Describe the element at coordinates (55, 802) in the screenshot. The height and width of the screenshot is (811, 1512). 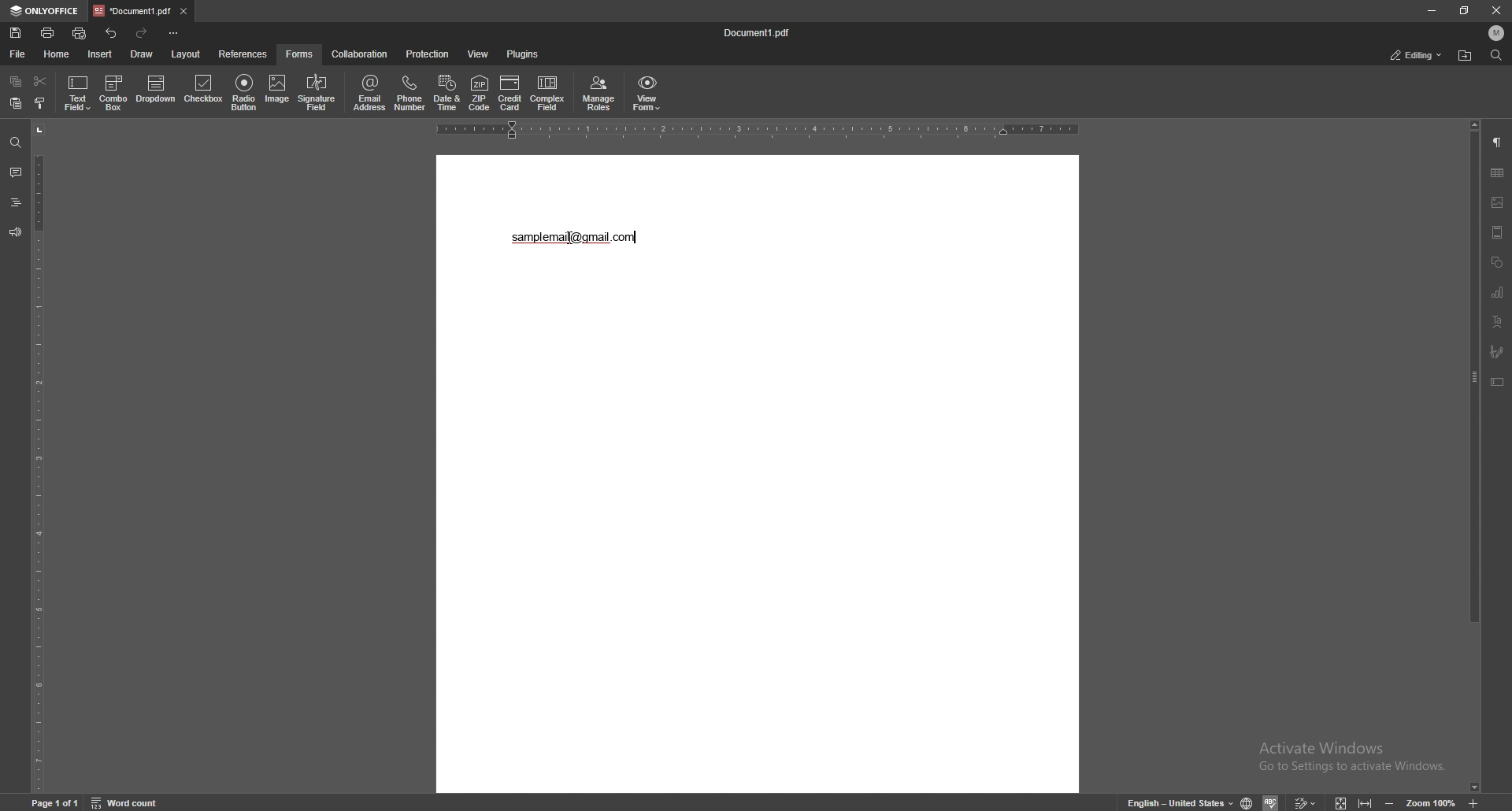
I see `page` at that location.